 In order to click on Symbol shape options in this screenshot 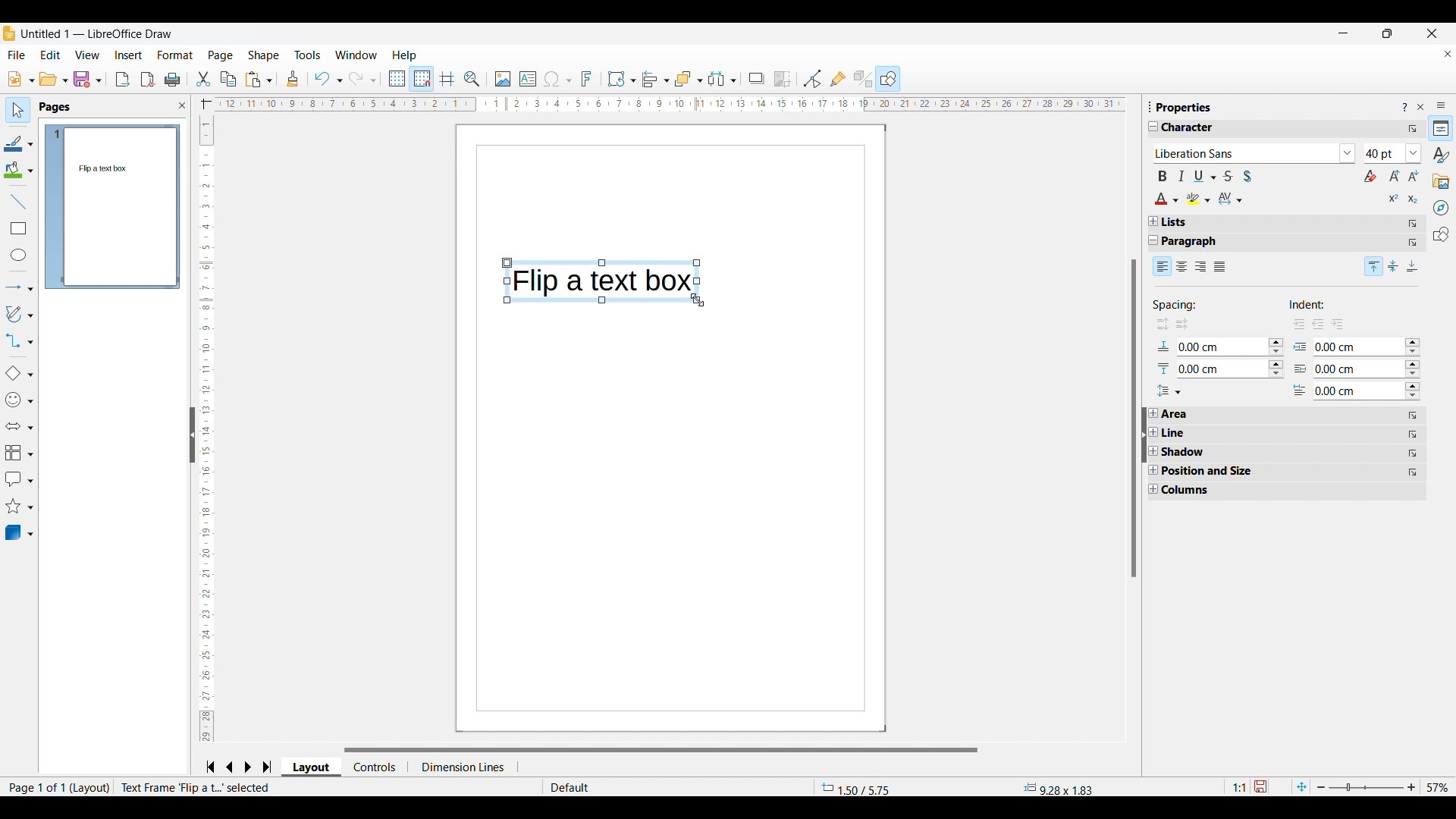, I will do `click(19, 400)`.